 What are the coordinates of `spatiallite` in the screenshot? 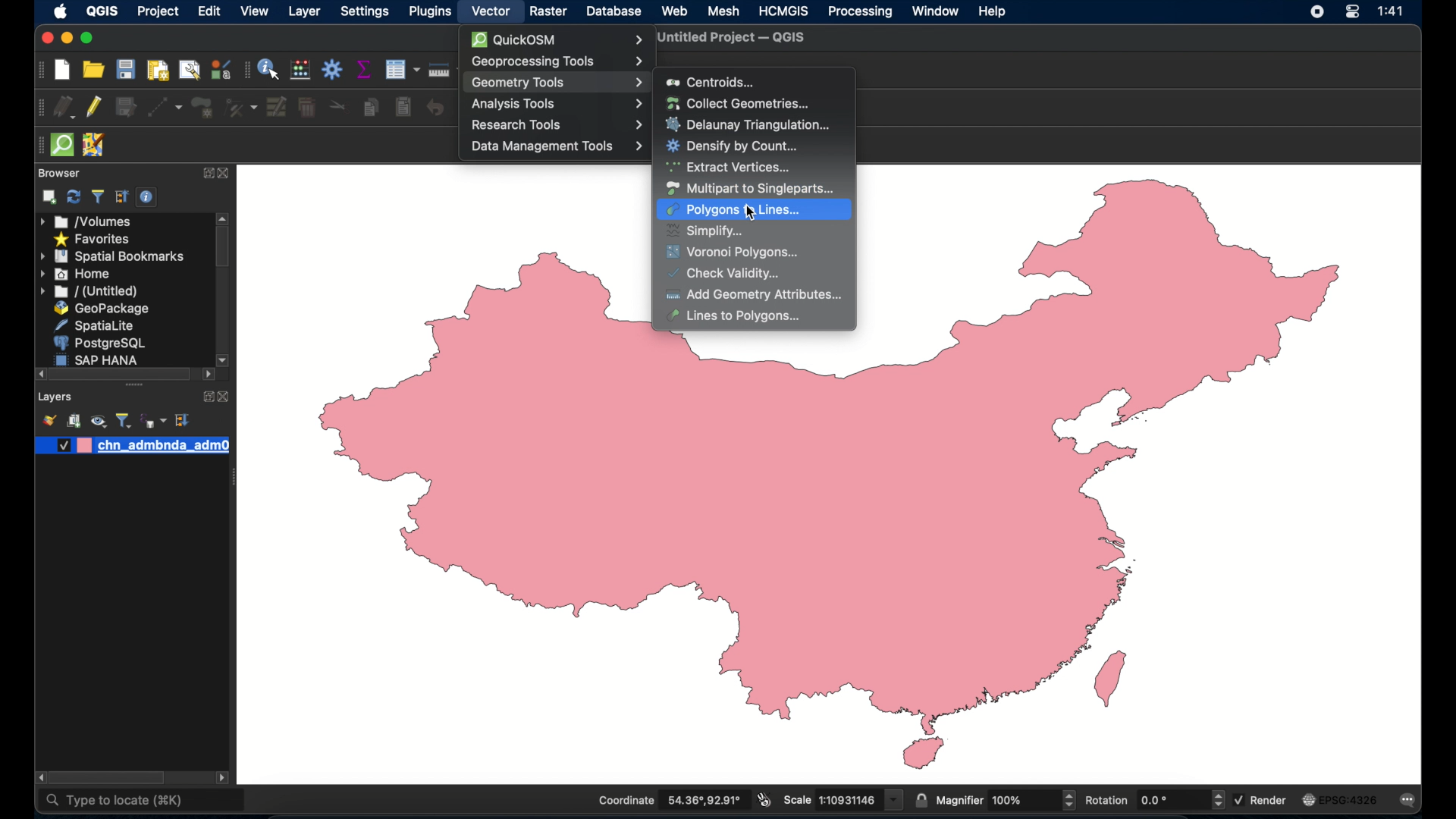 It's located at (93, 325).